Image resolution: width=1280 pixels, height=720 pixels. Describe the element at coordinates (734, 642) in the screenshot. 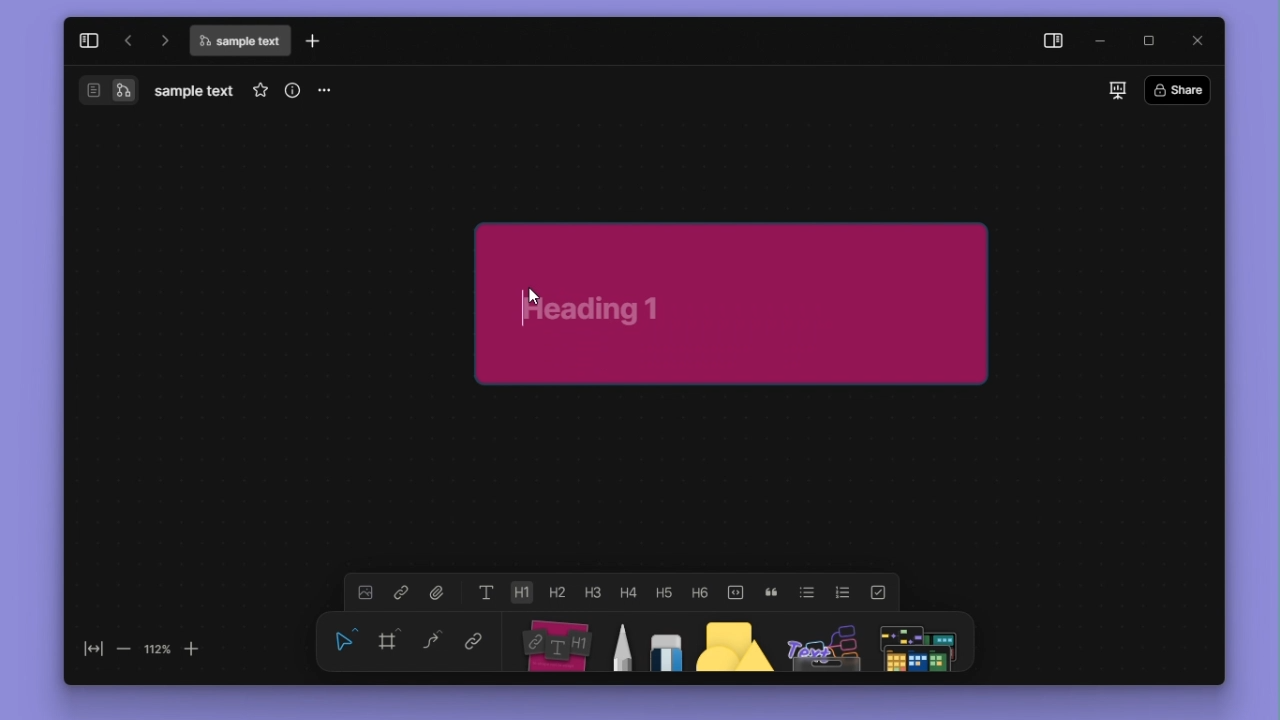

I see `shape` at that location.